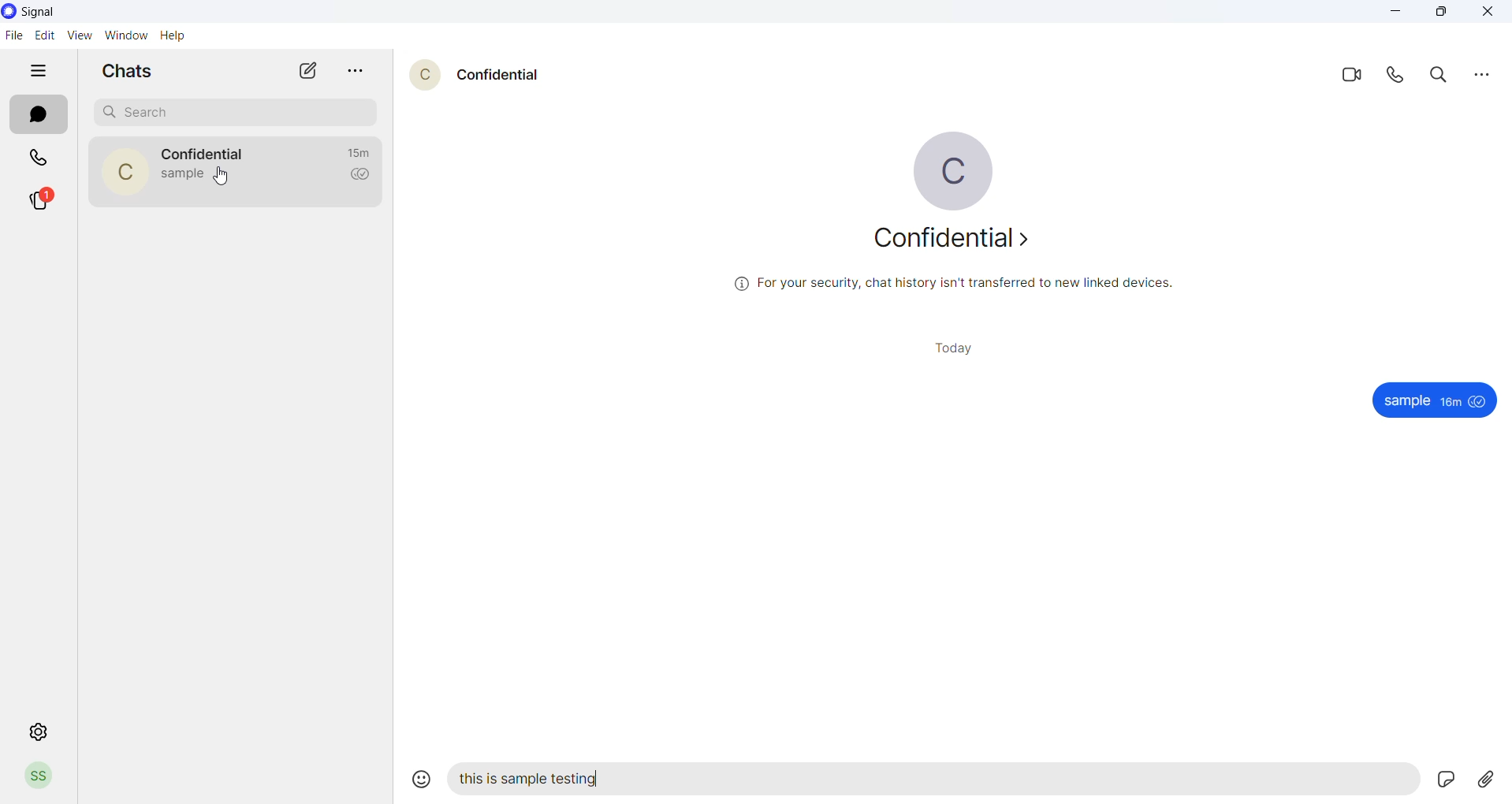 This screenshot has height=804, width=1512. What do you see at coordinates (45, 35) in the screenshot?
I see `edit` at bounding box center [45, 35].